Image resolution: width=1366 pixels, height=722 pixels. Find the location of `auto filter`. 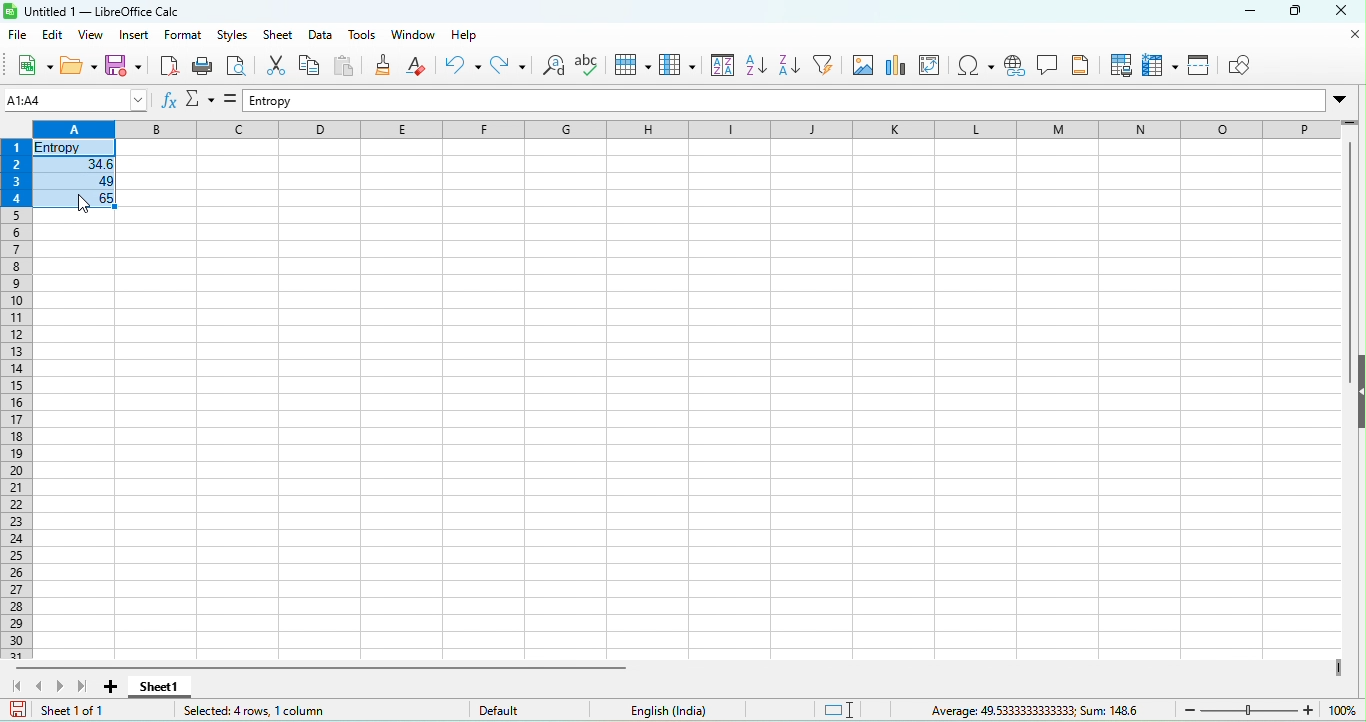

auto filter is located at coordinates (829, 68).